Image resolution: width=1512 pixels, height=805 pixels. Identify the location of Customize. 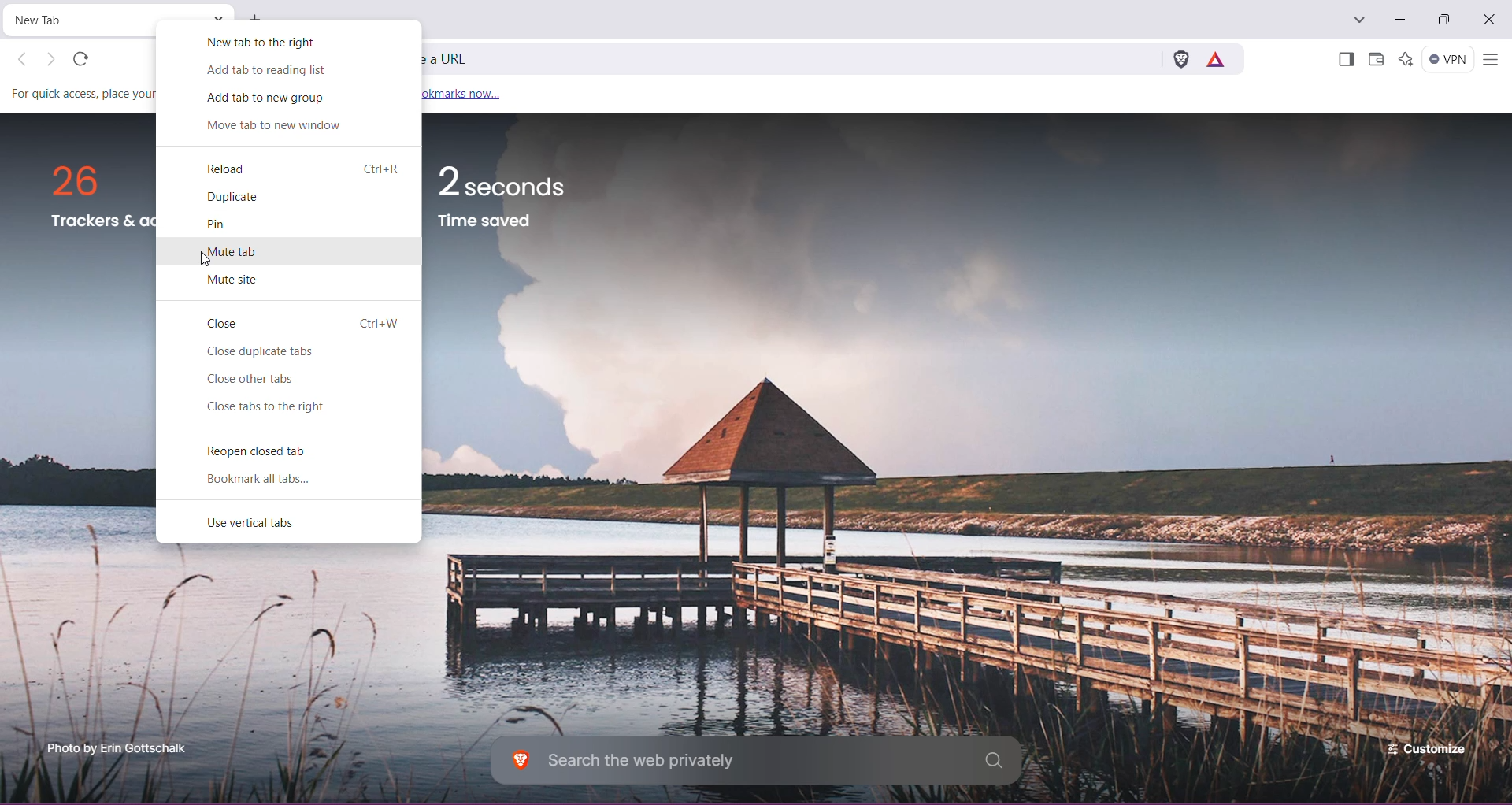
(1425, 747).